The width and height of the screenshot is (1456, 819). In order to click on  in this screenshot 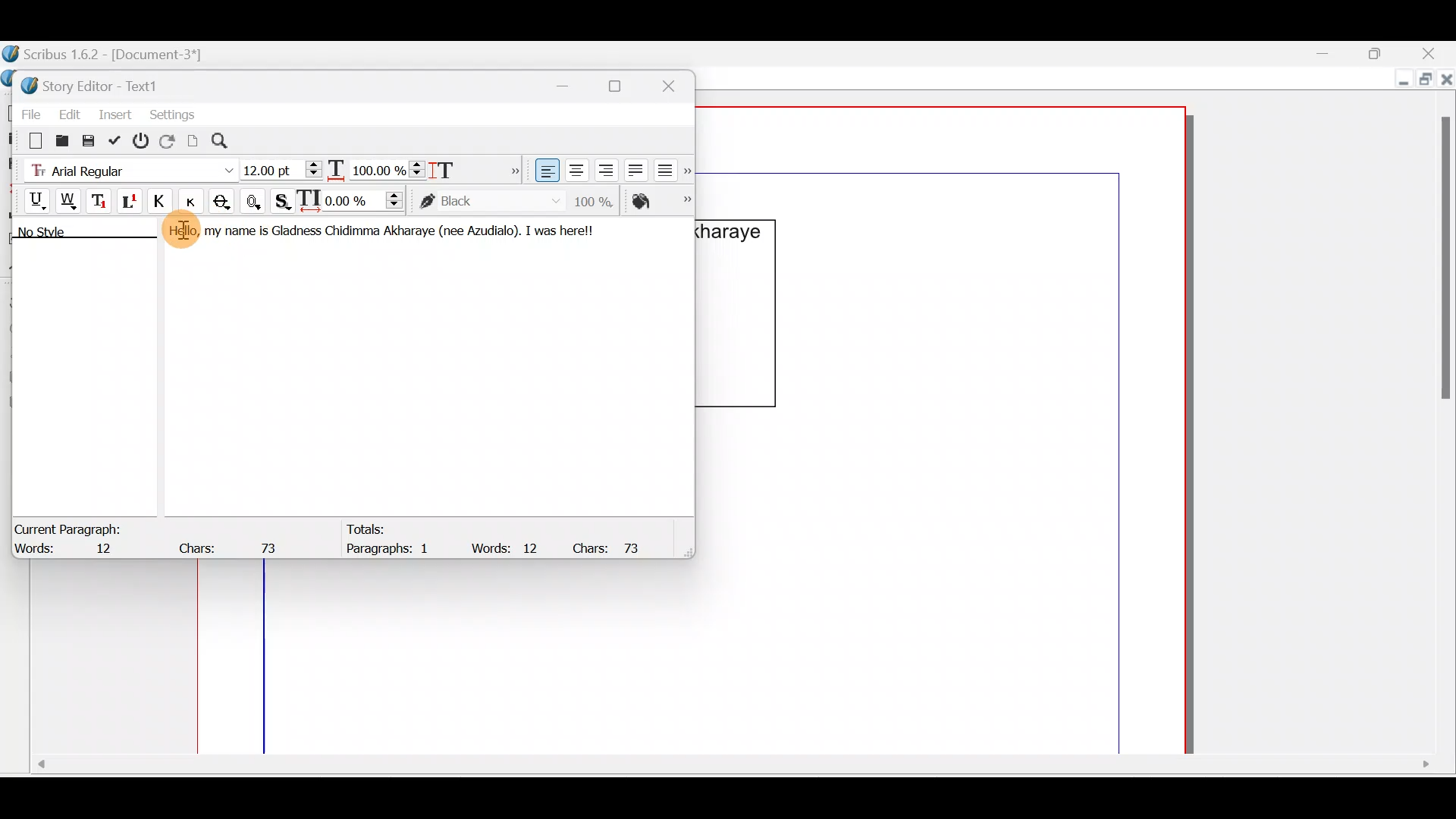, I will do `click(196, 201)`.